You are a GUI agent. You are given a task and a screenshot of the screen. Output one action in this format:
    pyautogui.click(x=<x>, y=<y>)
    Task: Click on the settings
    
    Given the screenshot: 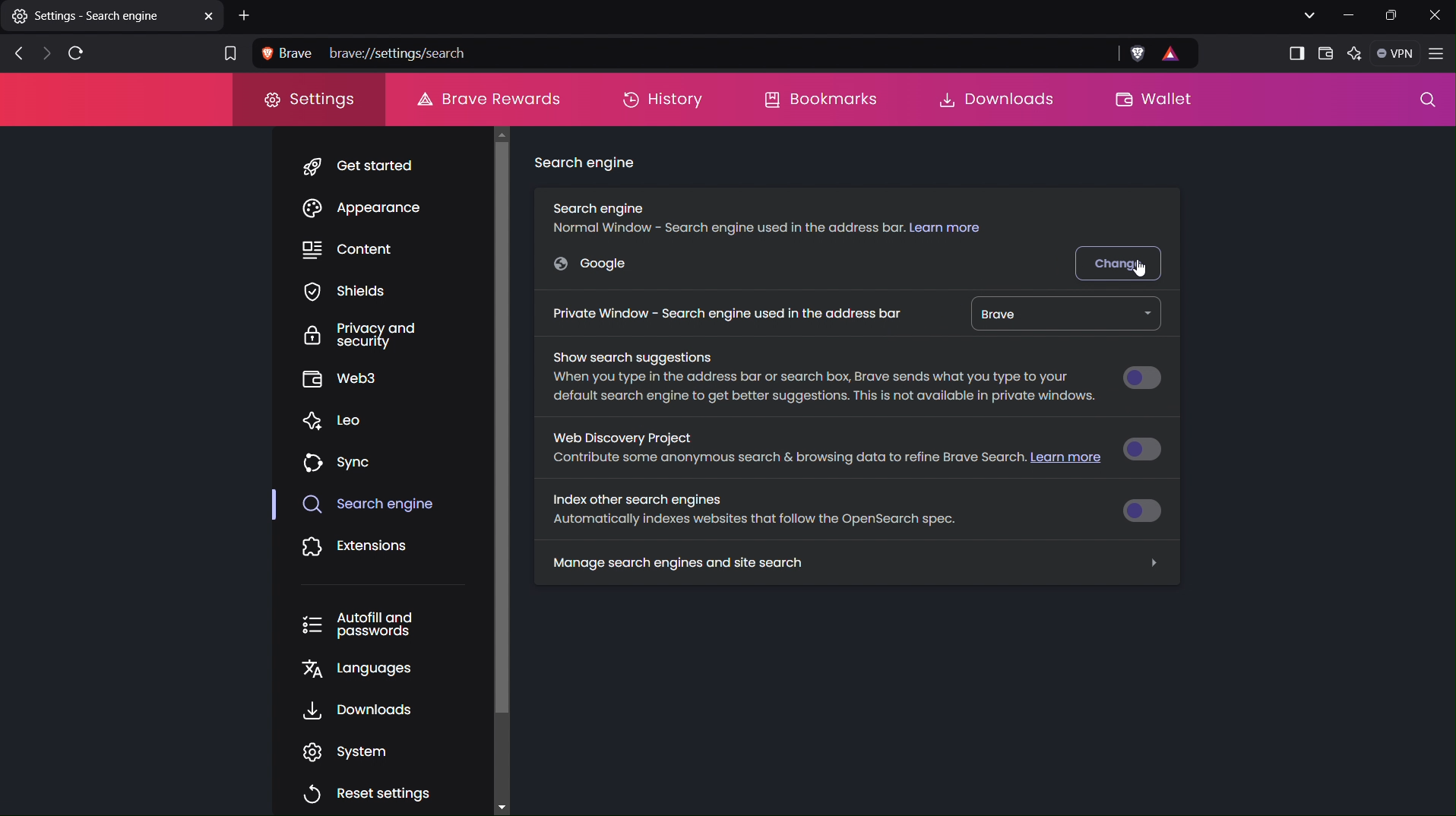 What is the action you would take?
    pyautogui.click(x=113, y=19)
    